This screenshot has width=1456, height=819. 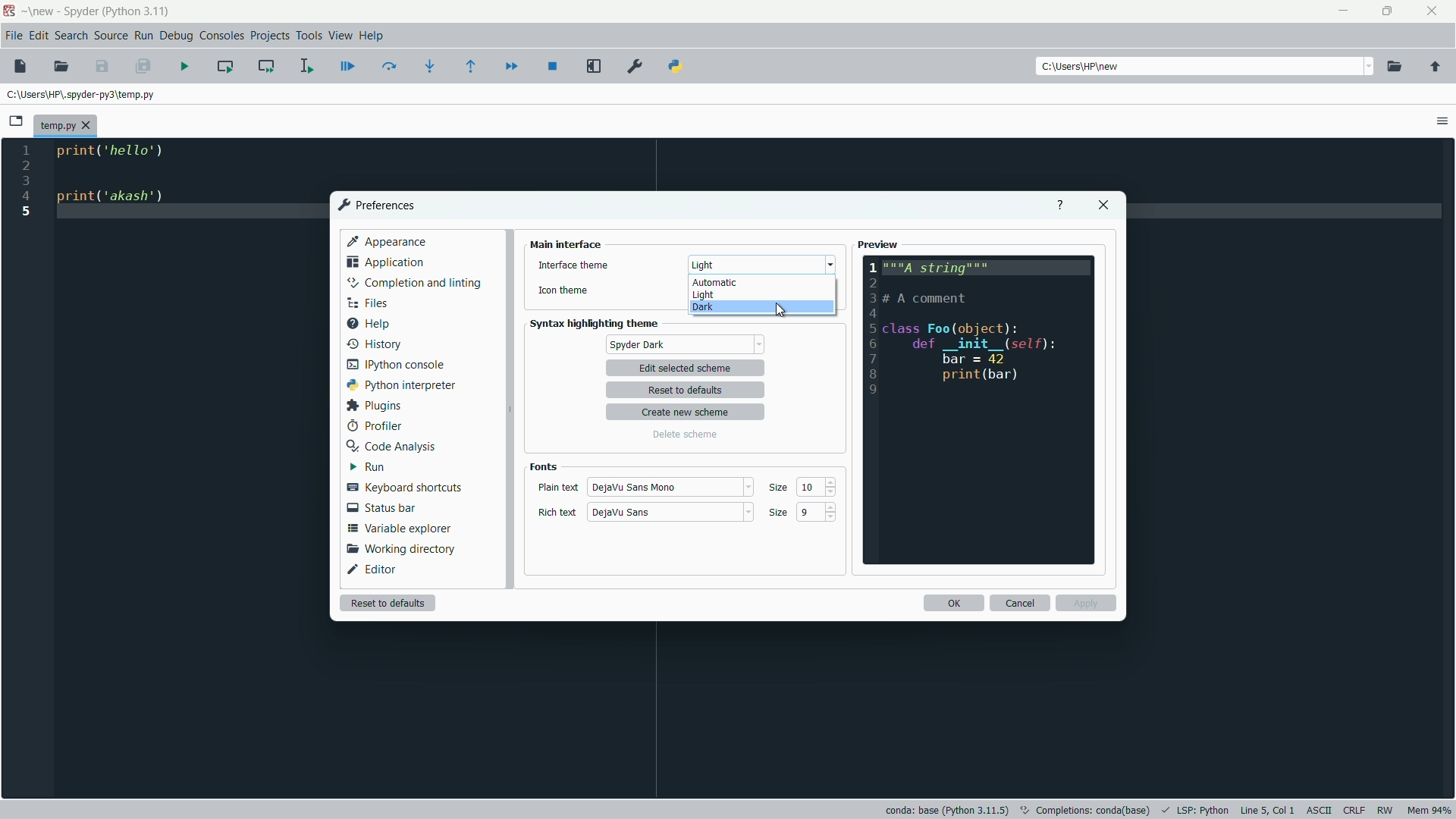 I want to click on run, so click(x=366, y=467).